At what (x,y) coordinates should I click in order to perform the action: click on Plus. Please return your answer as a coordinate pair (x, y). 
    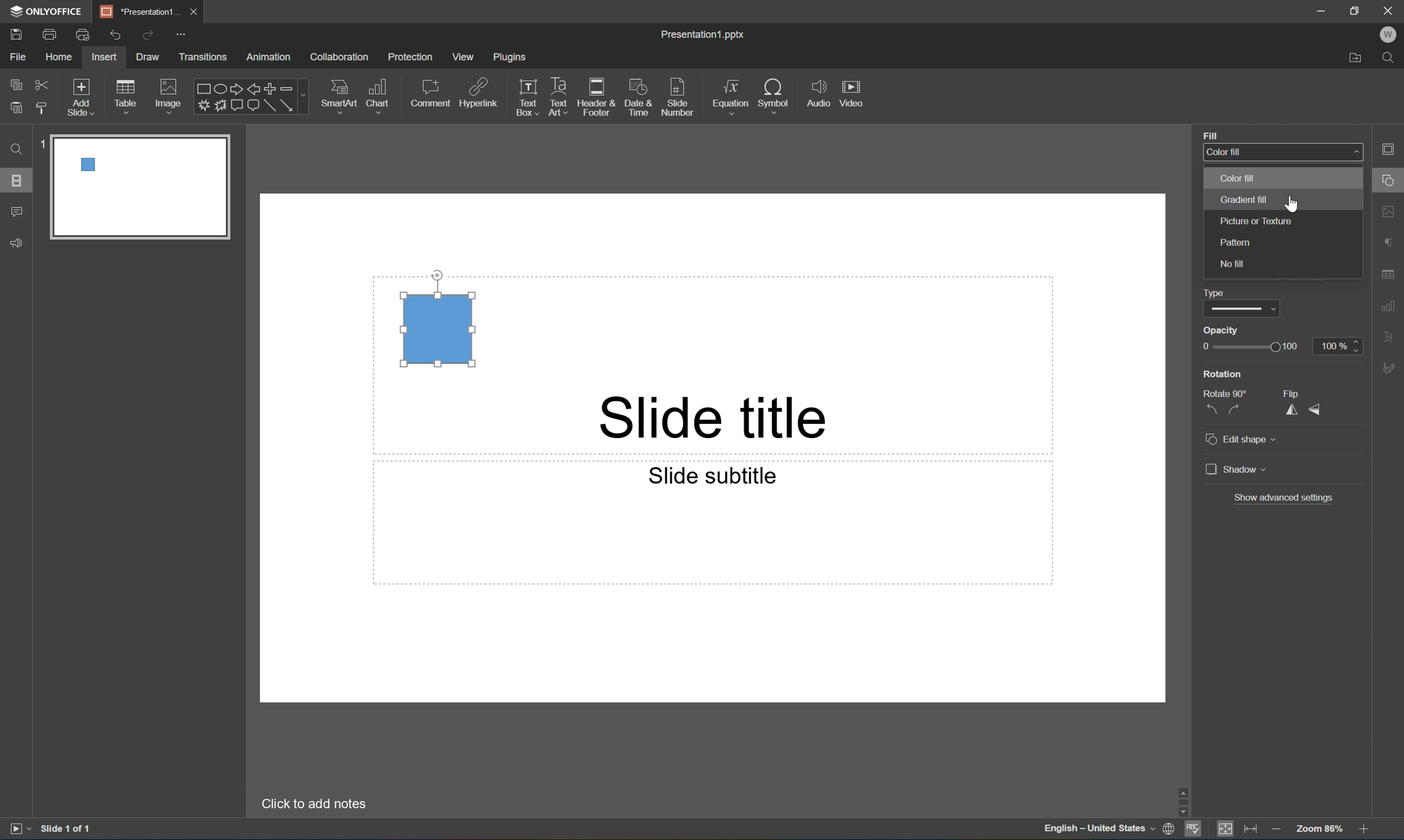
    Looking at the image, I should click on (271, 88).